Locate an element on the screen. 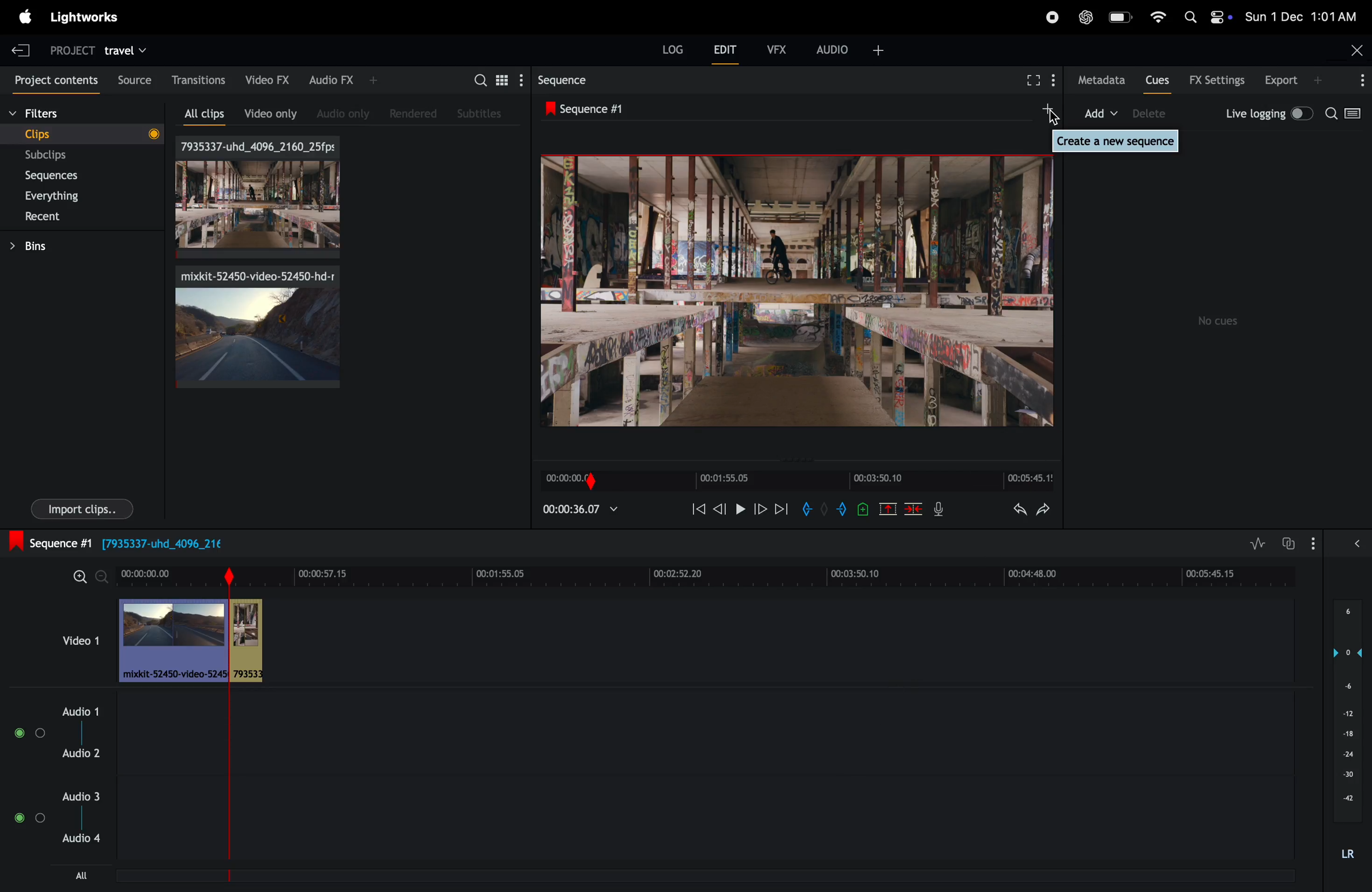  travel is located at coordinates (126, 48).